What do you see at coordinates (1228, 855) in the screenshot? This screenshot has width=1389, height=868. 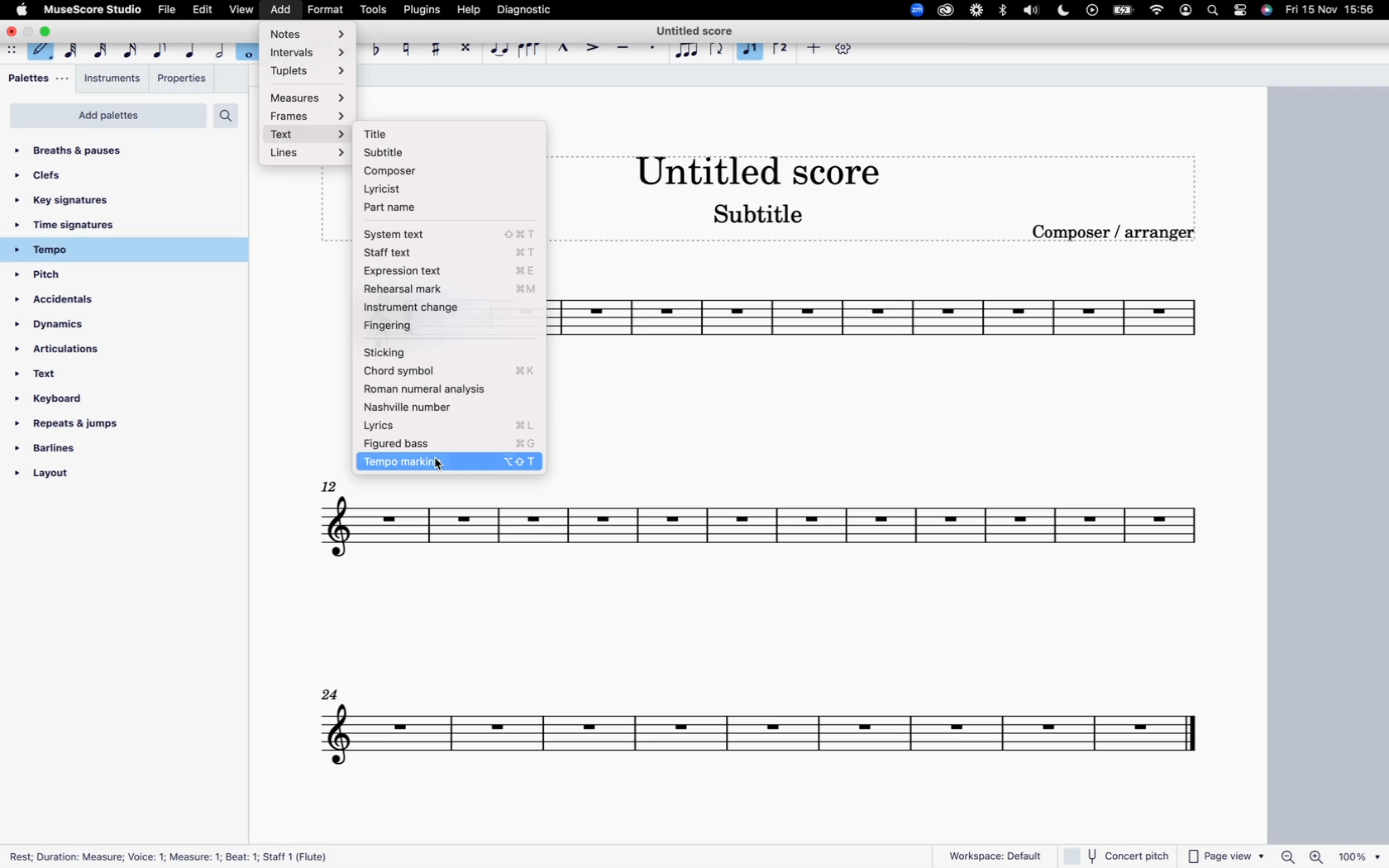 I see `page view` at bounding box center [1228, 855].